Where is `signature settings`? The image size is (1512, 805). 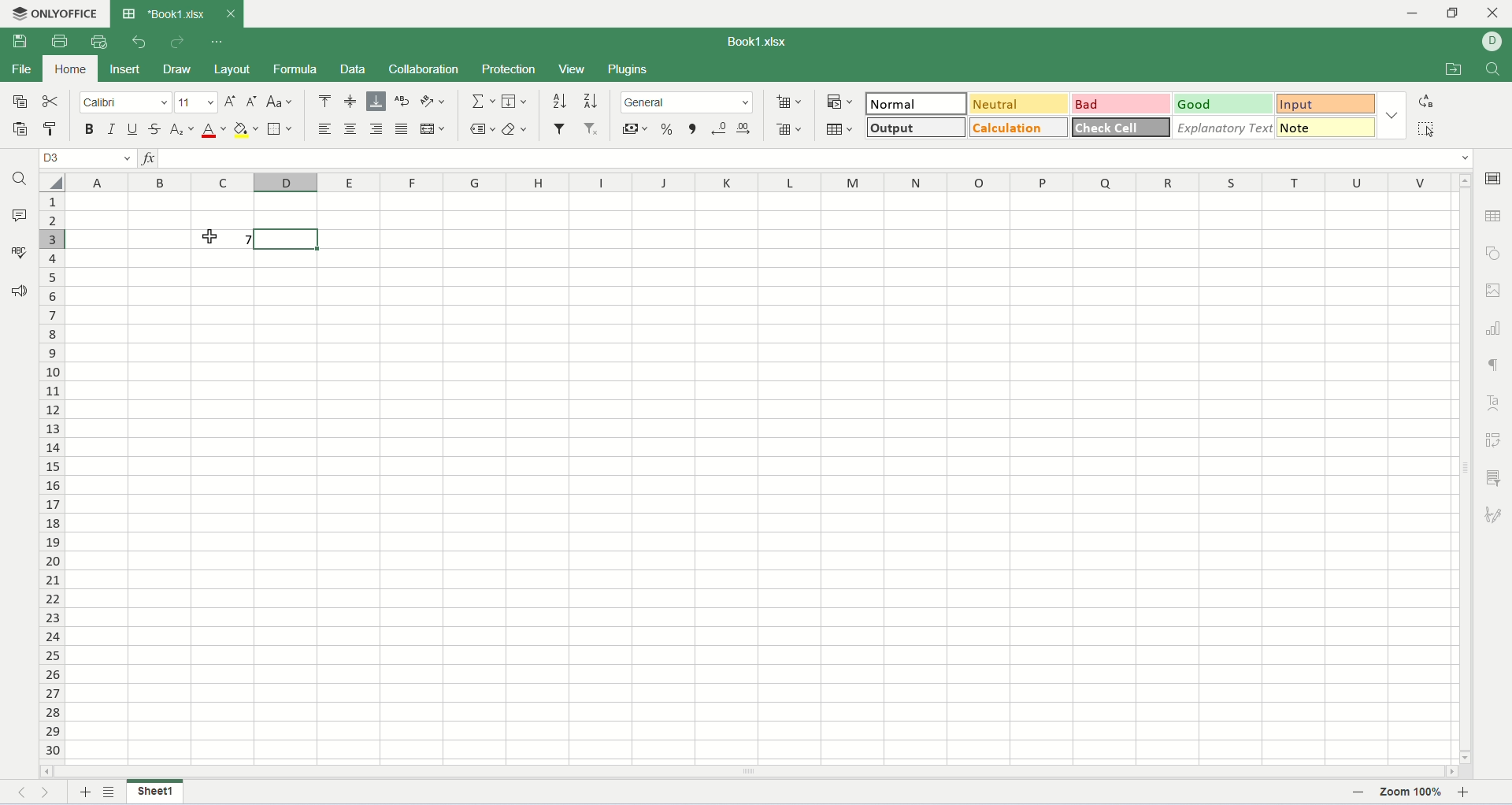 signature settings is located at coordinates (1498, 514).